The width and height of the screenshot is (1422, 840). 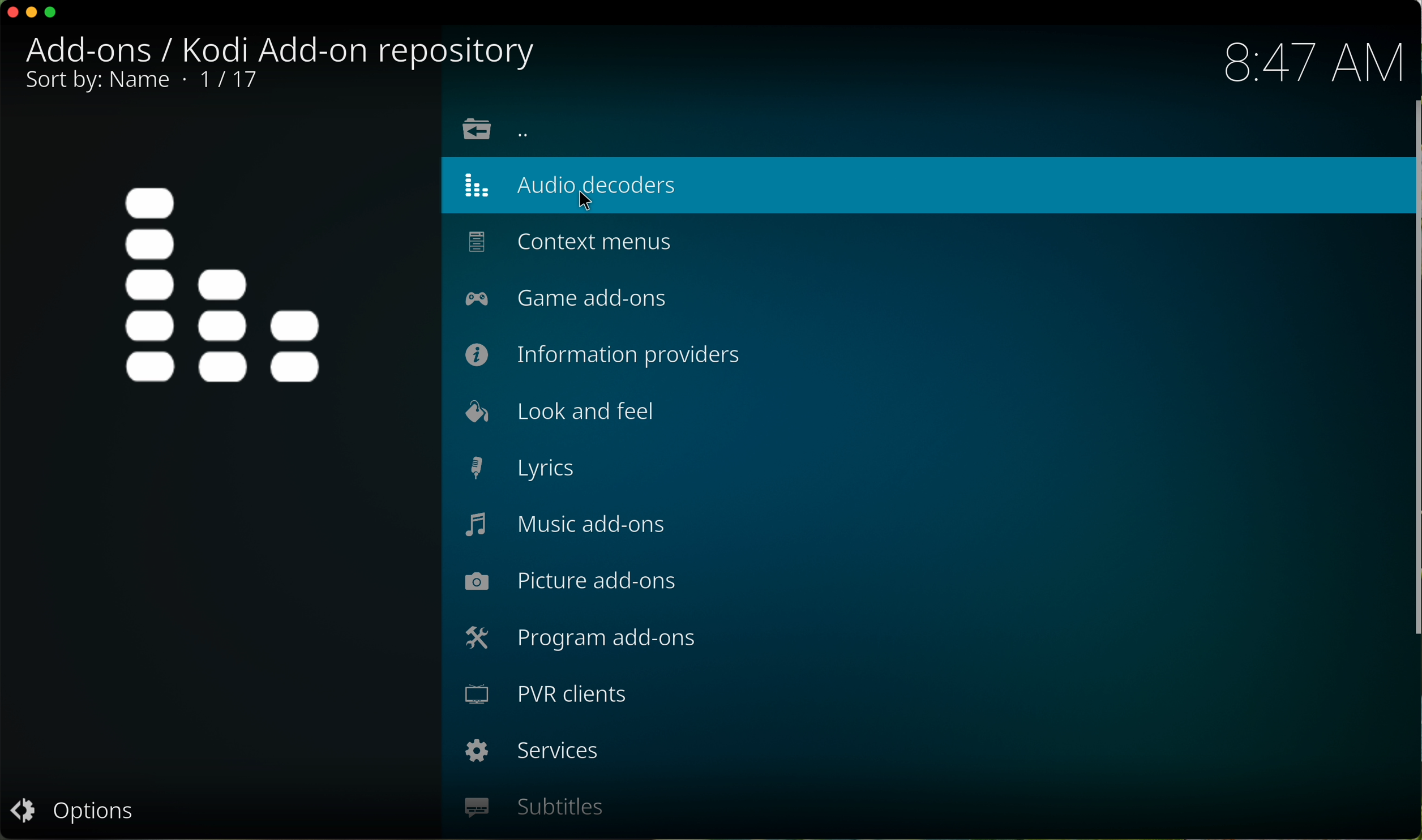 What do you see at coordinates (567, 526) in the screenshot?
I see `music add-ons` at bounding box center [567, 526].